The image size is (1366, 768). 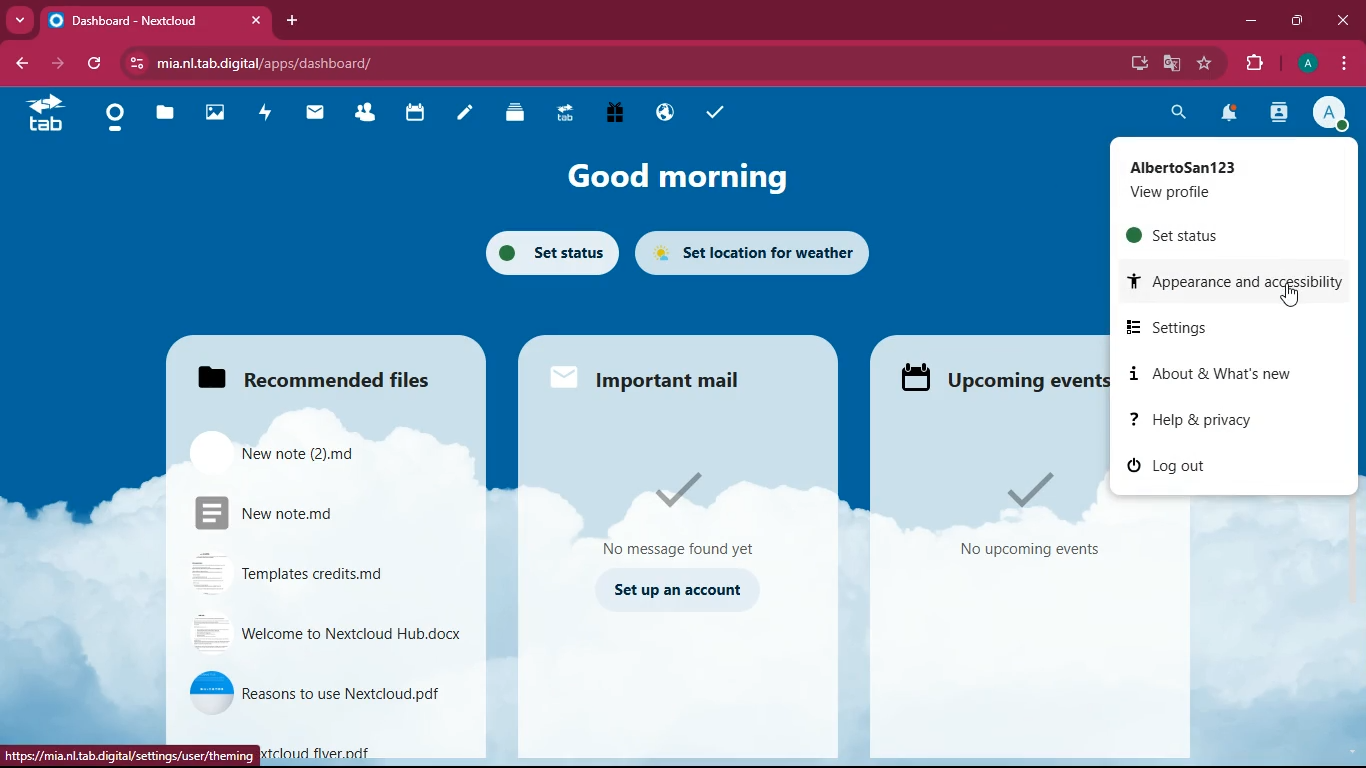 What do you see at coordinates (1251, 21) in the screenshot?
I see `minimize` at bounding box center [1251, 21].